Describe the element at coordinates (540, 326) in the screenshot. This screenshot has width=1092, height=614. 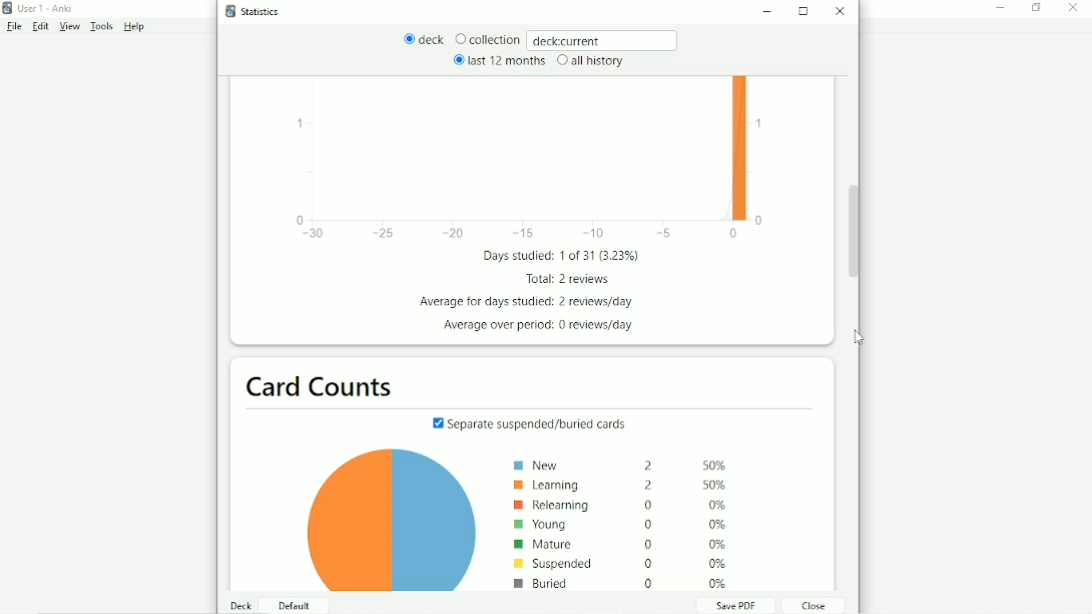
I see `Average over period: 0 reviews/day` at that location.